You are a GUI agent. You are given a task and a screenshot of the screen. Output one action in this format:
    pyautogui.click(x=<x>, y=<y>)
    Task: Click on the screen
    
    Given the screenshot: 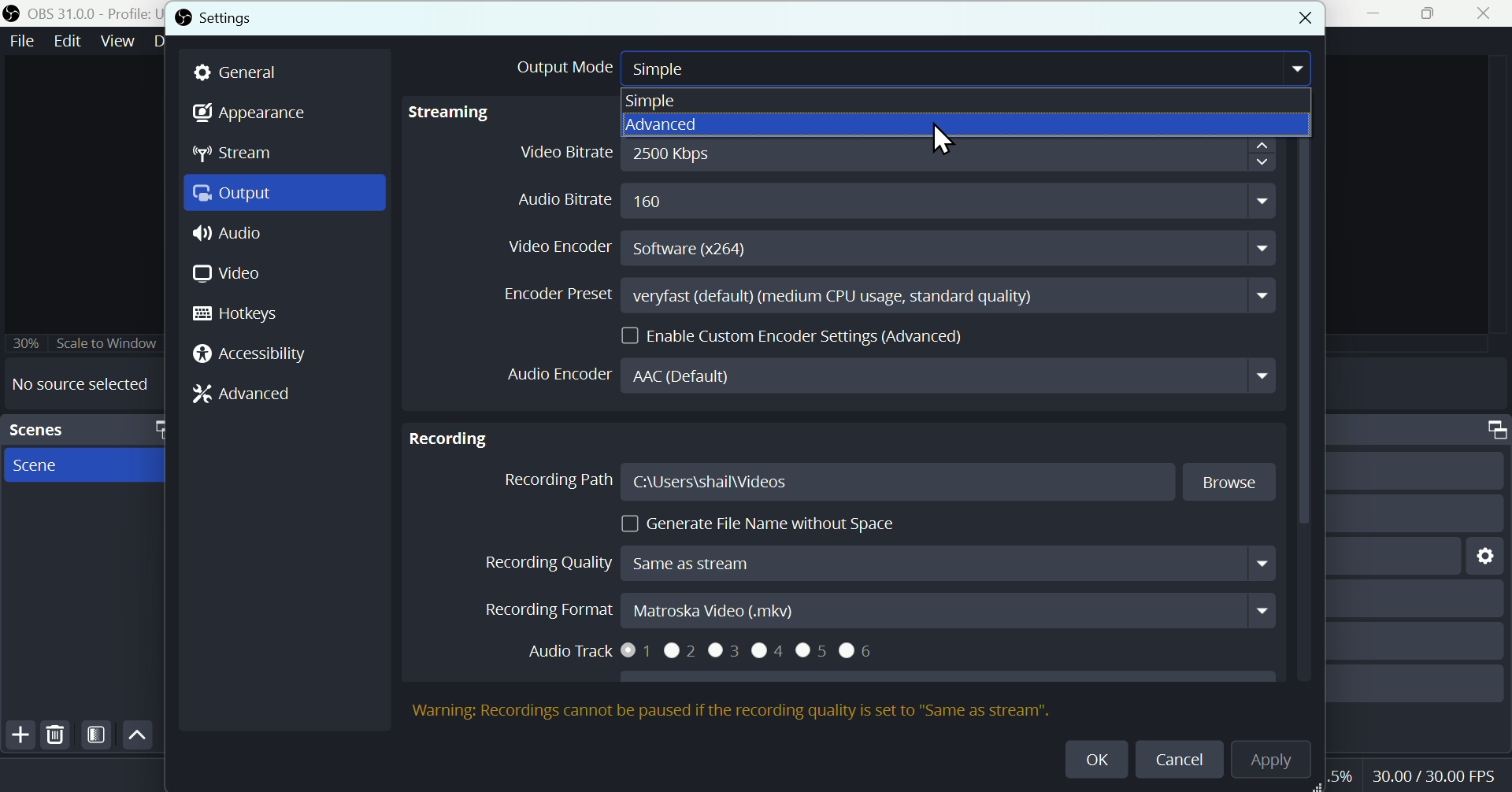 What is the action you would take?
    pyautogui.click(x=87, y=466)
    